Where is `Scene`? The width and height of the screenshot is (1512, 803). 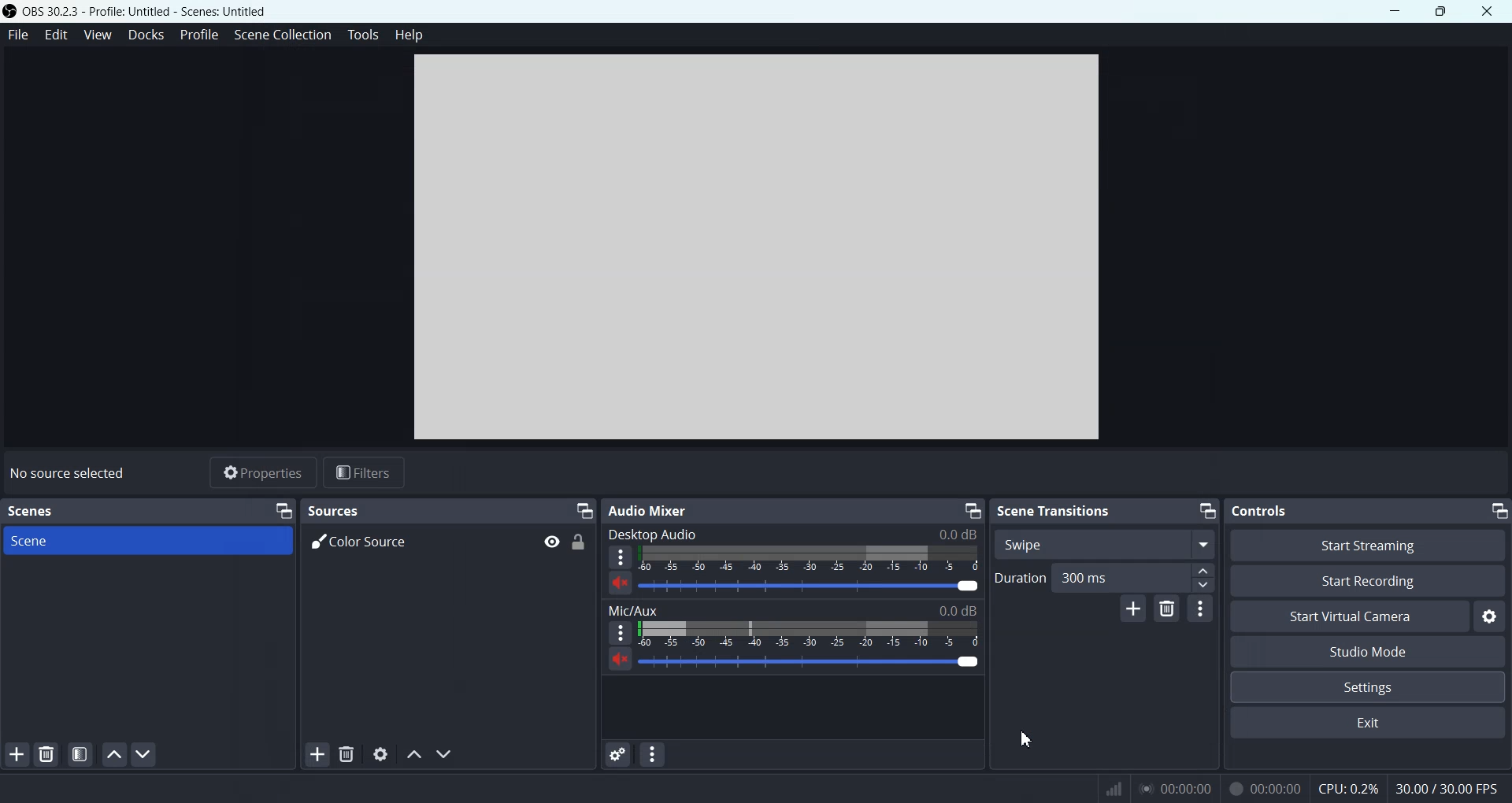 Scene is located at coordinates (150, 541).